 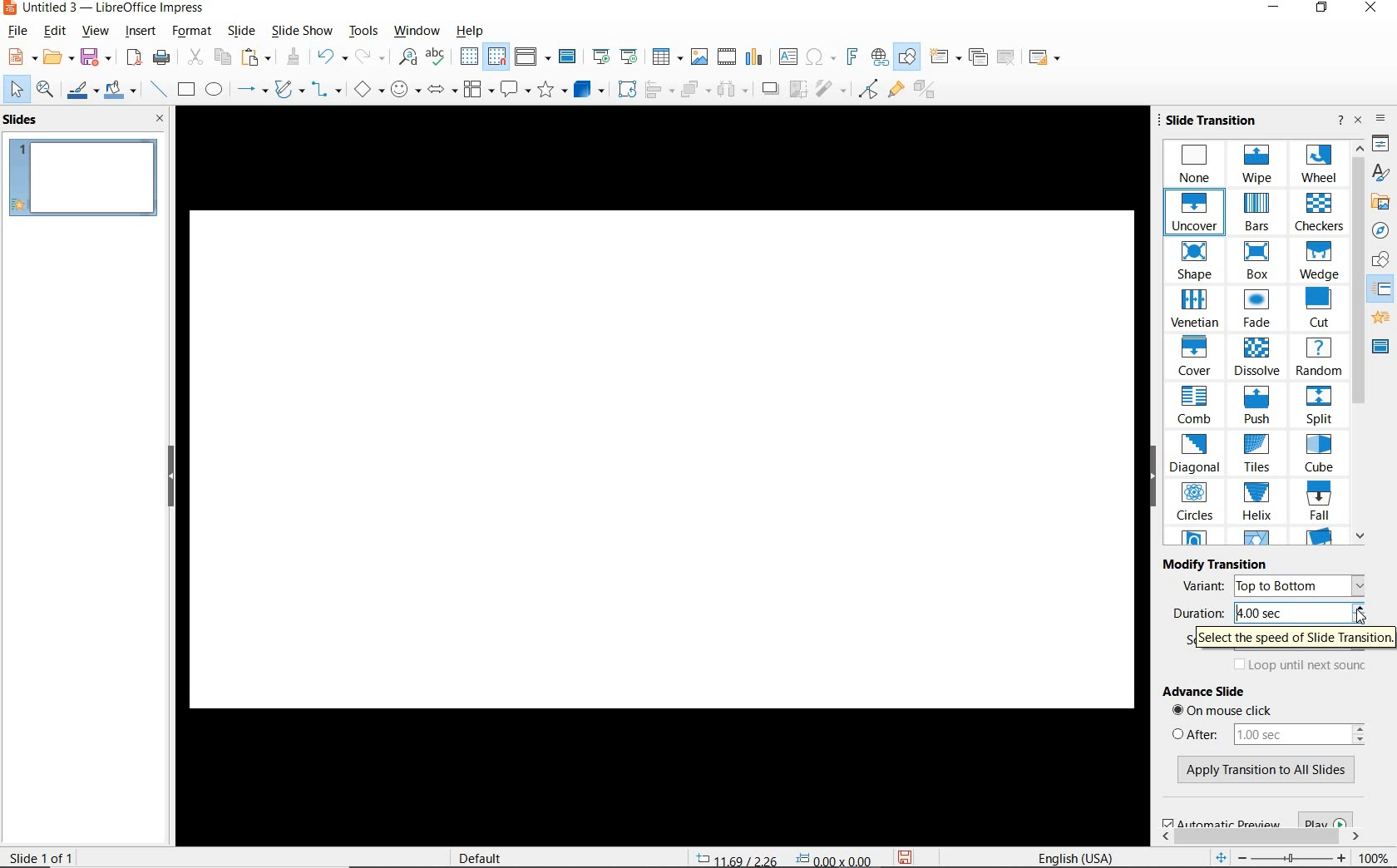 I want to click on WEDGE, so click(x=1321, y=260).